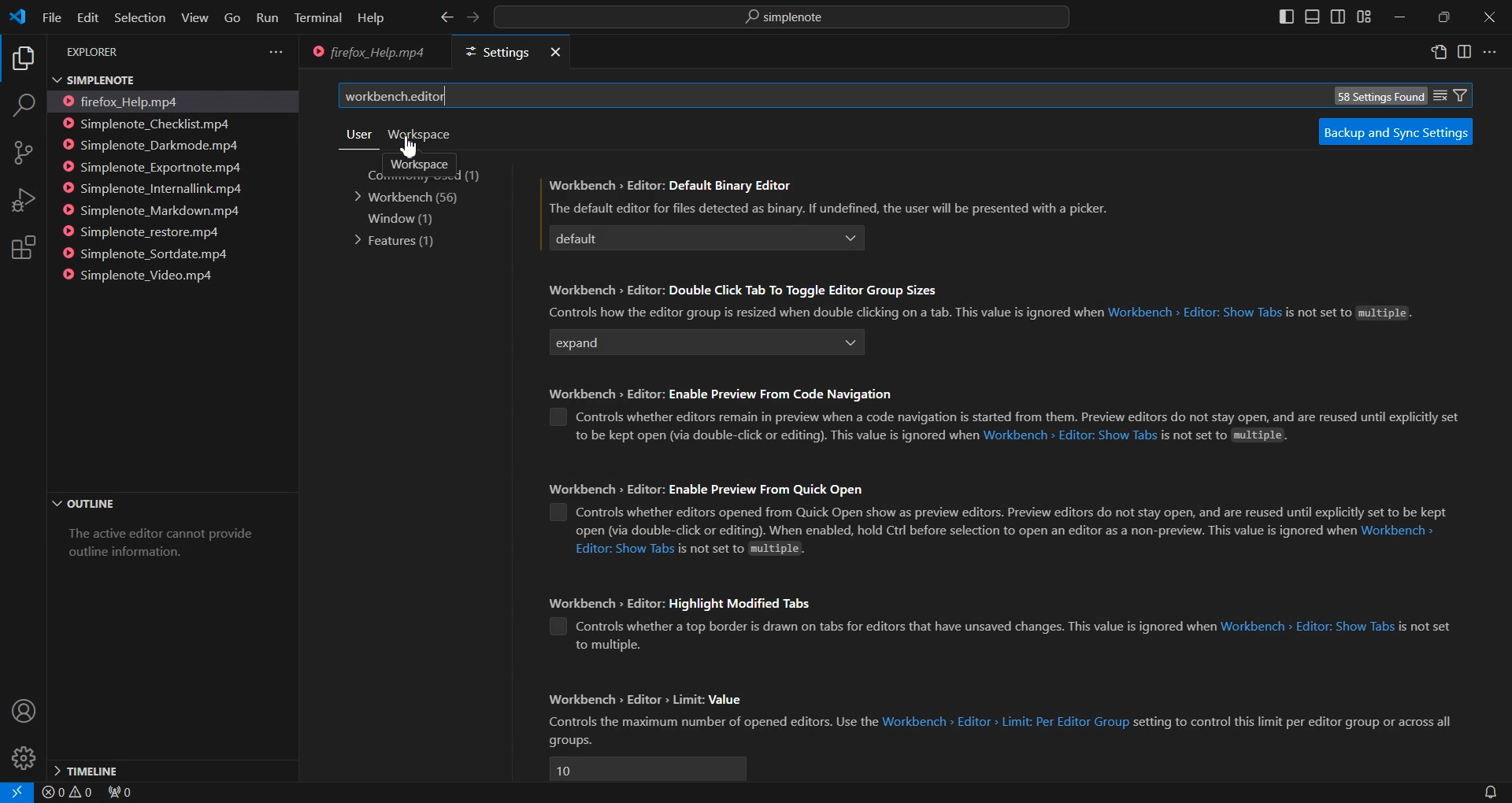 The width and height of the screenshot is (1512, 803). I want to click on  settings found, so click(1378, 96).